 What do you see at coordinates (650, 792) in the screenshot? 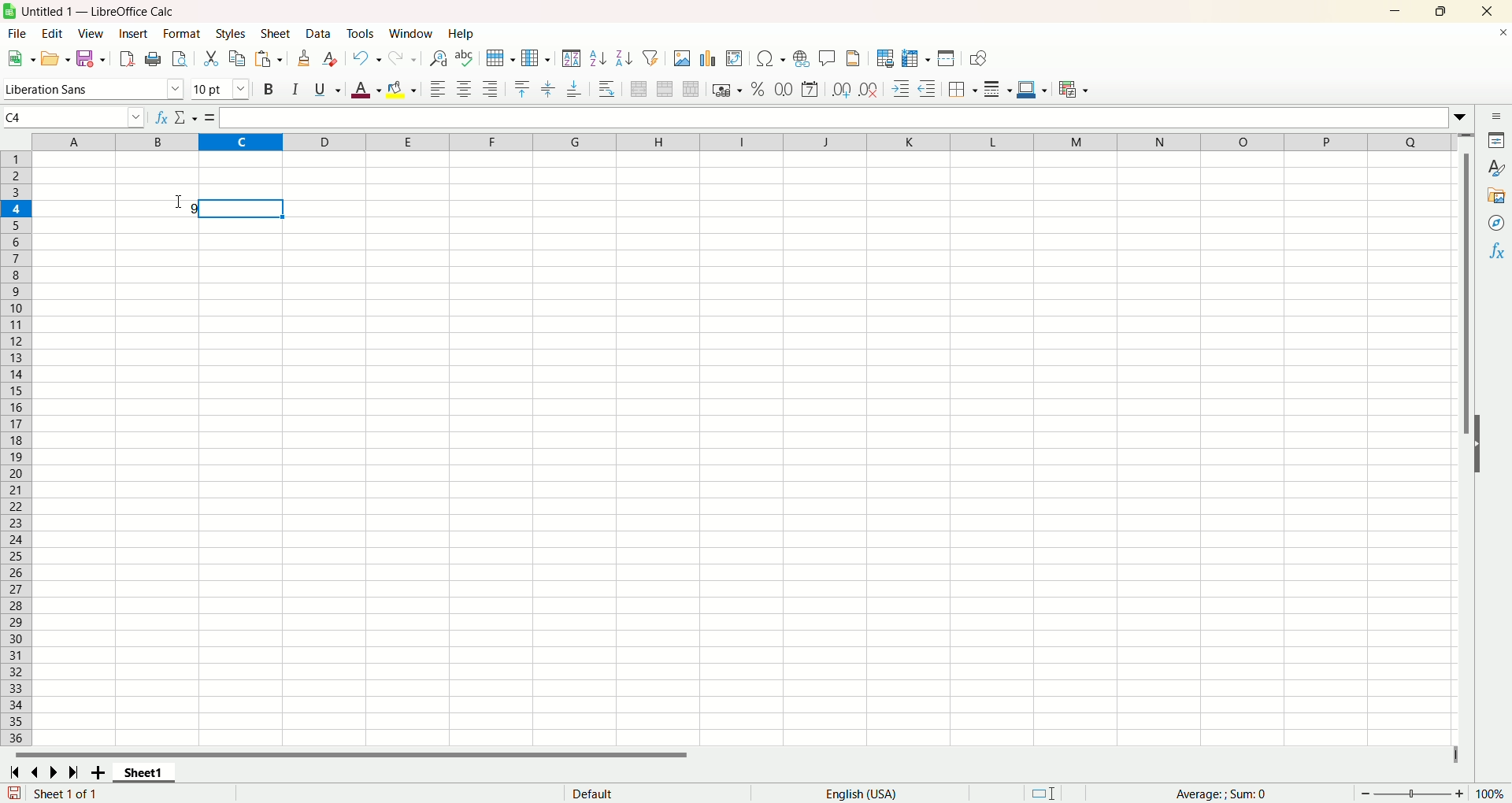
I see `Default` at bounding box center [650, 792].